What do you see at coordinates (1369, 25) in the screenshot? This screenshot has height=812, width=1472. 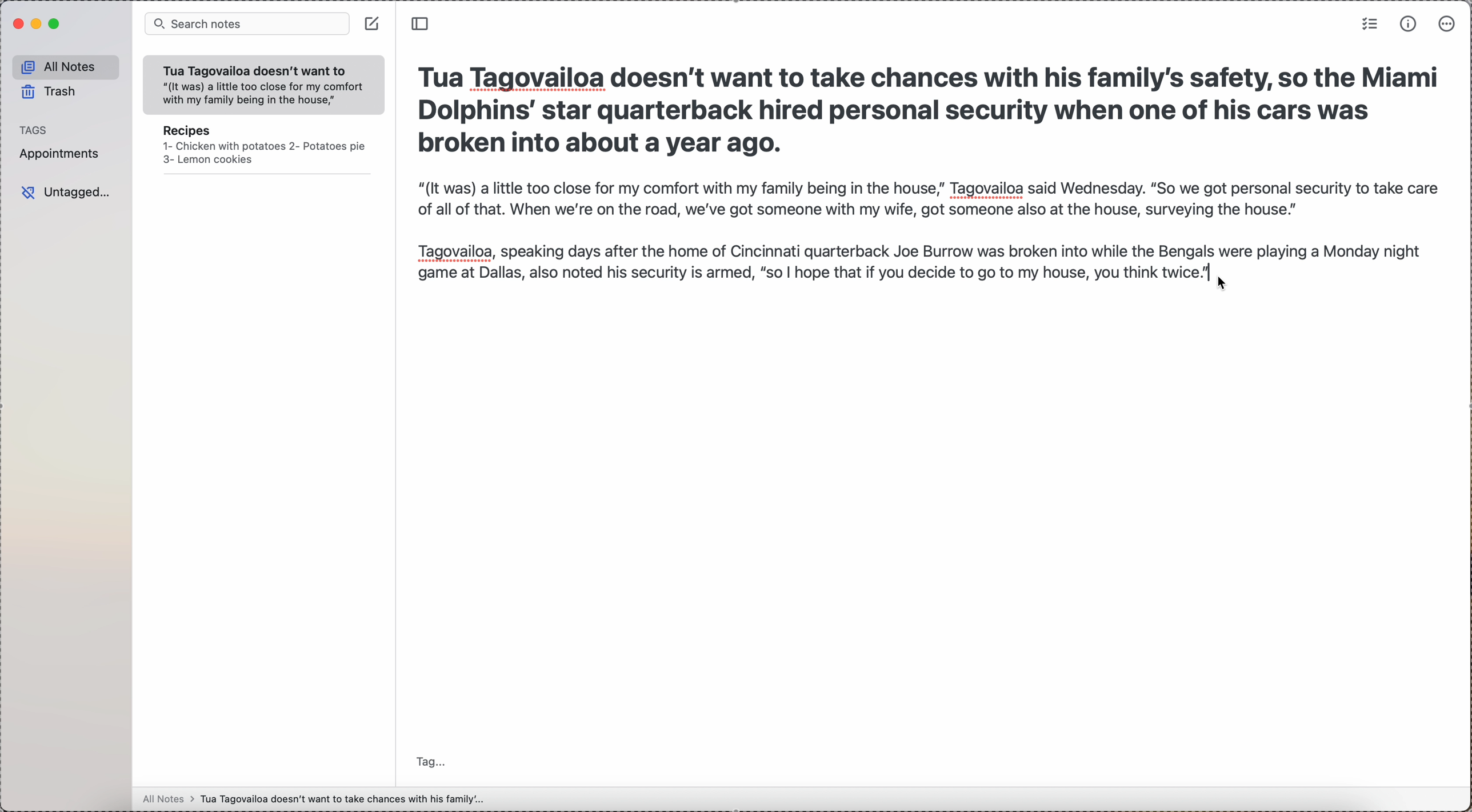 I see `check list` at bounding box center [1369, 25].